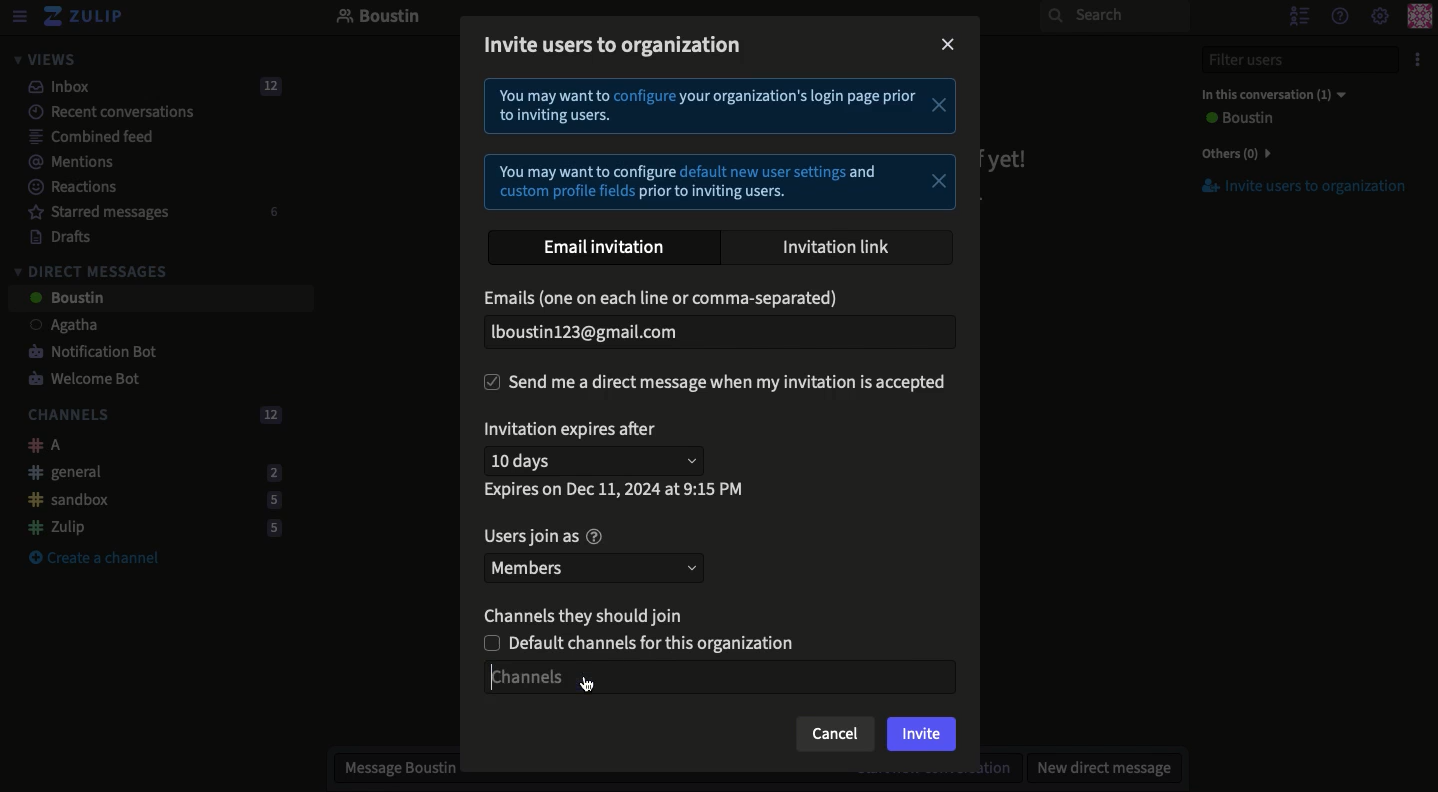  What do you see at coordinates (599, 459) in the screenshot?
I see `10 days` at bounding box center [599, 459].